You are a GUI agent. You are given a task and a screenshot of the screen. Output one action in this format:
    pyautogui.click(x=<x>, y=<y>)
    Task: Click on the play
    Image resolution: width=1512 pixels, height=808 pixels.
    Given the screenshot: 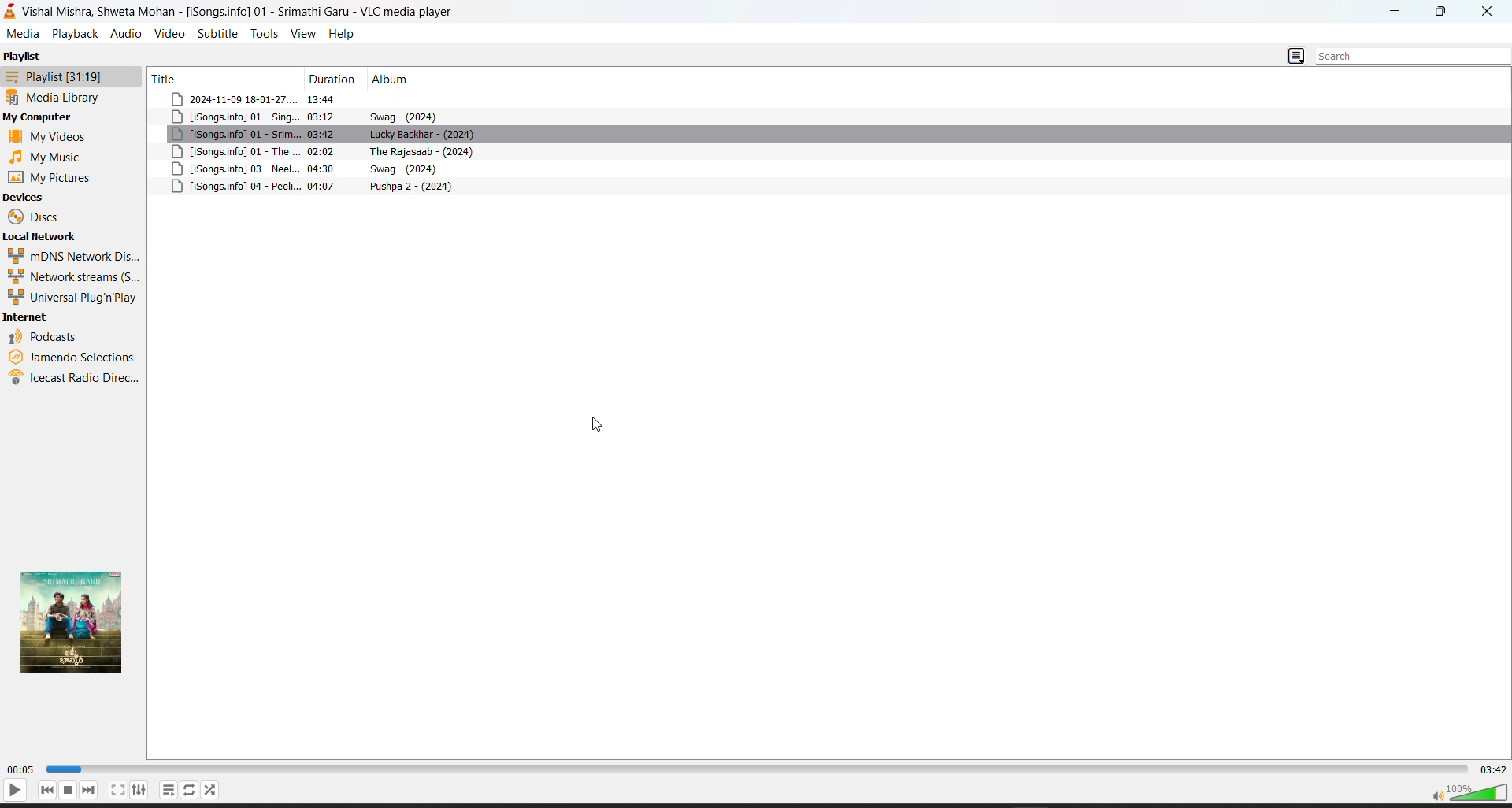 What is the action you would take?
    pyautogui.click(x=15, y=790)
    